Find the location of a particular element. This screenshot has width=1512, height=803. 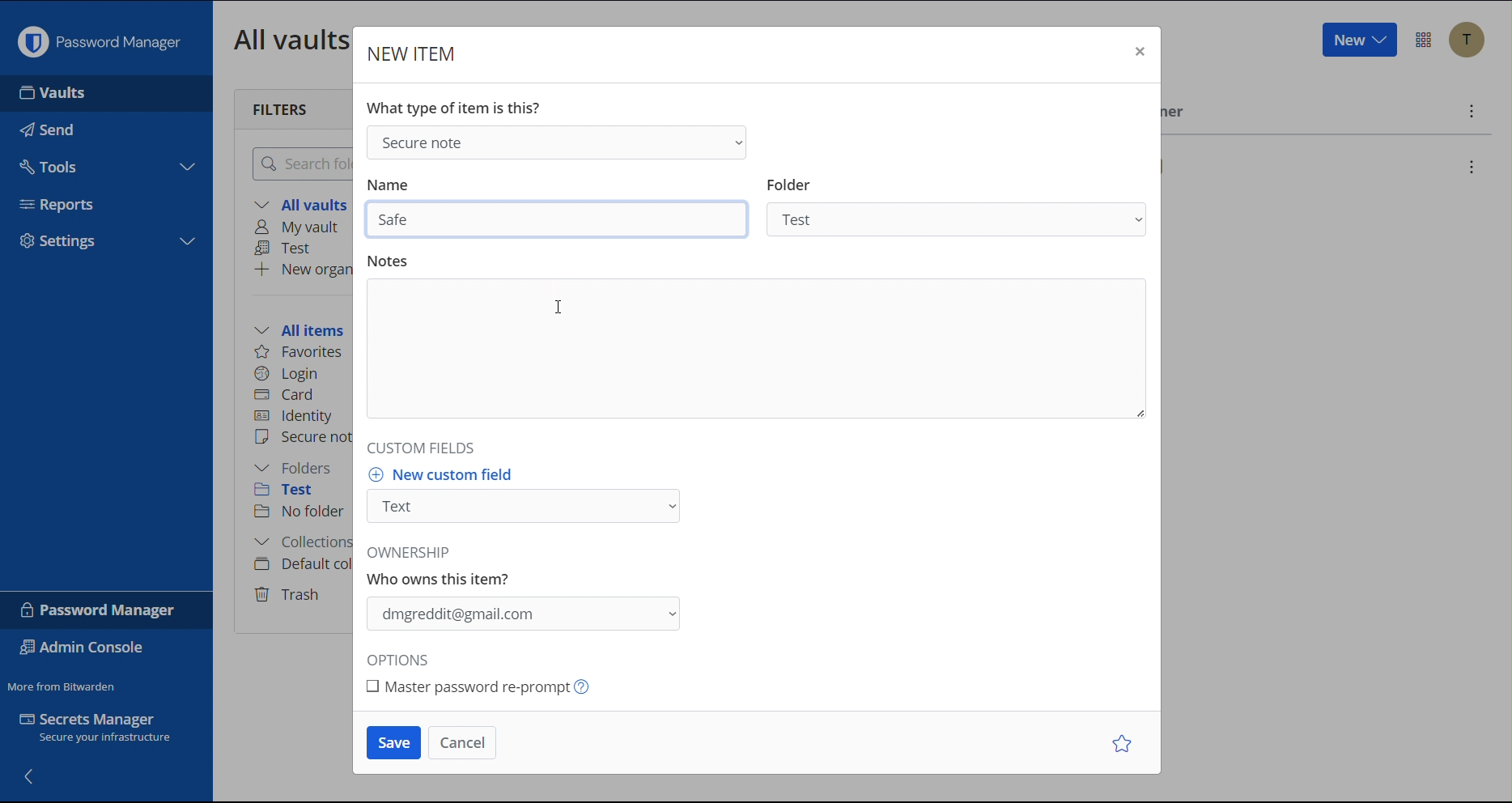

New is located at coordinates (1358, 40).